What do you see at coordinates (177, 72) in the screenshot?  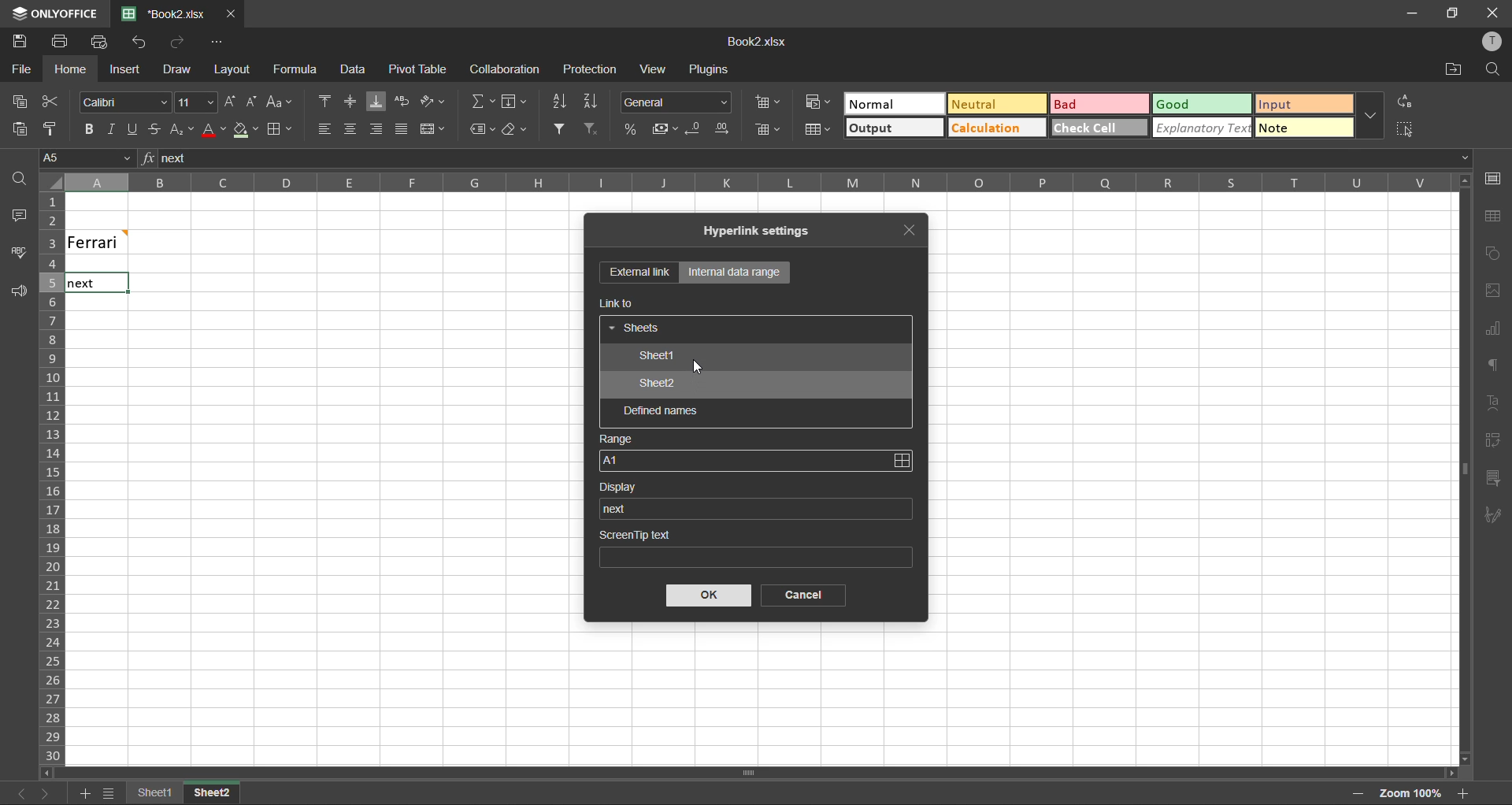 I see `draw` at bounding box center [177, 72].